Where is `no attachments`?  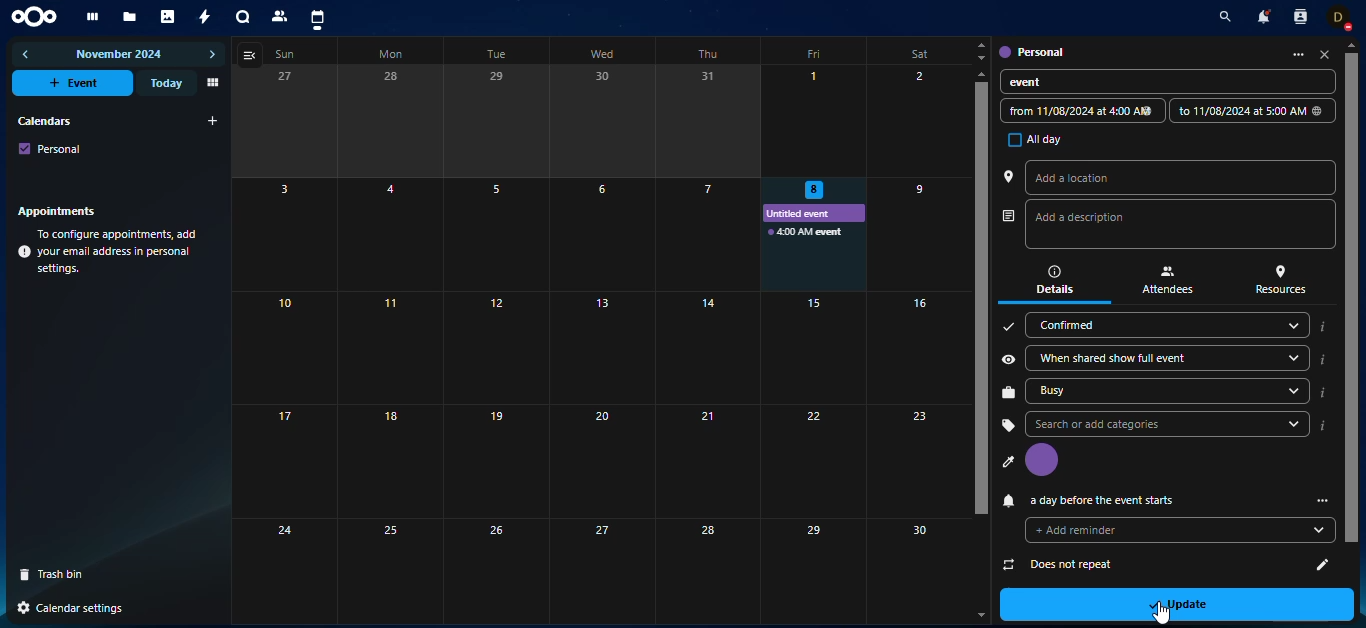 no attachments is located at coordinates (1091, 562).